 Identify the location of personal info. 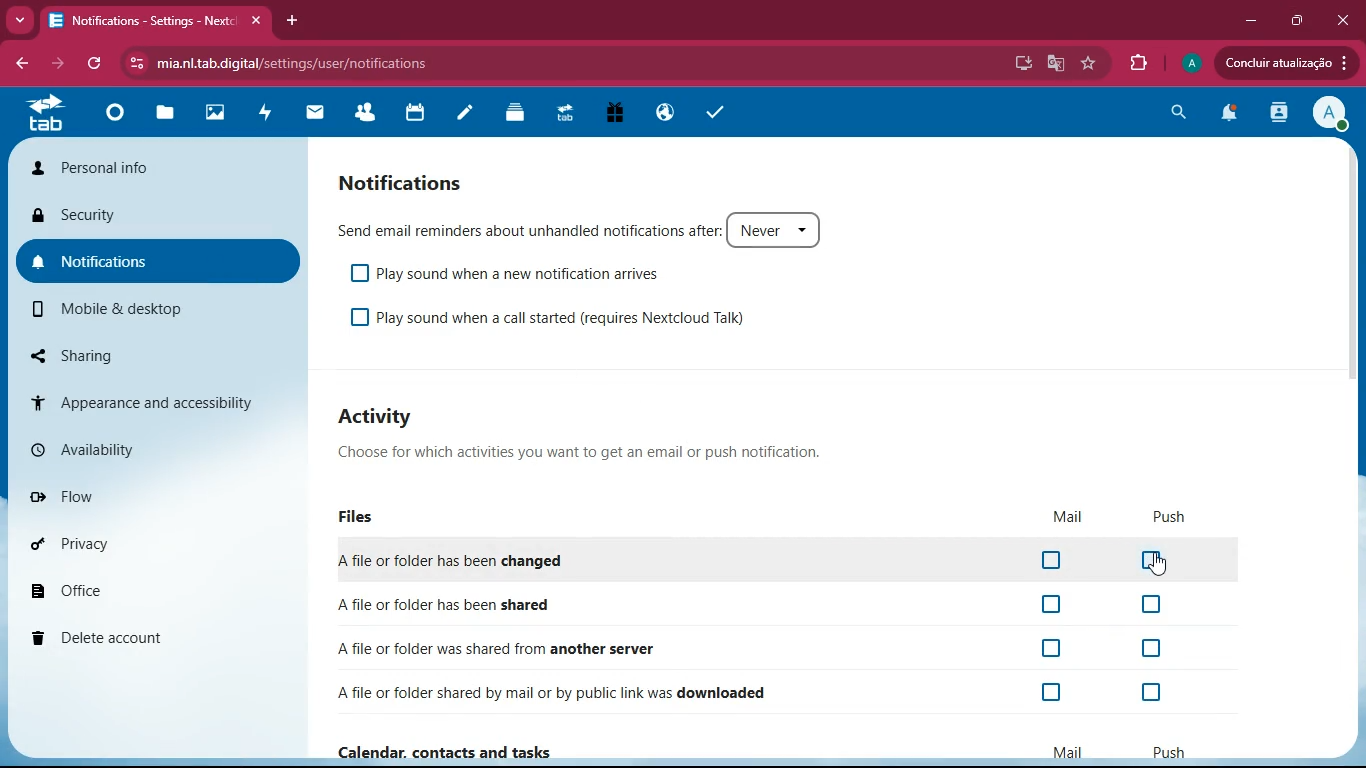
(155, 165).